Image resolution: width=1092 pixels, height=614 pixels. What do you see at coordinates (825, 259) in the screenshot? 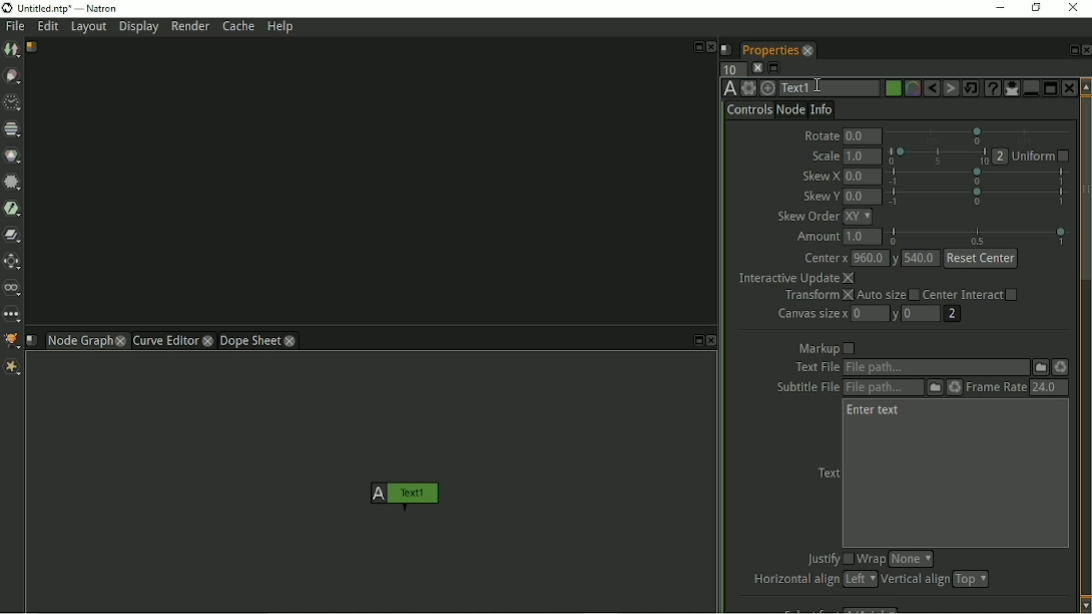
I see `Center` at bounding box center [825, 259].